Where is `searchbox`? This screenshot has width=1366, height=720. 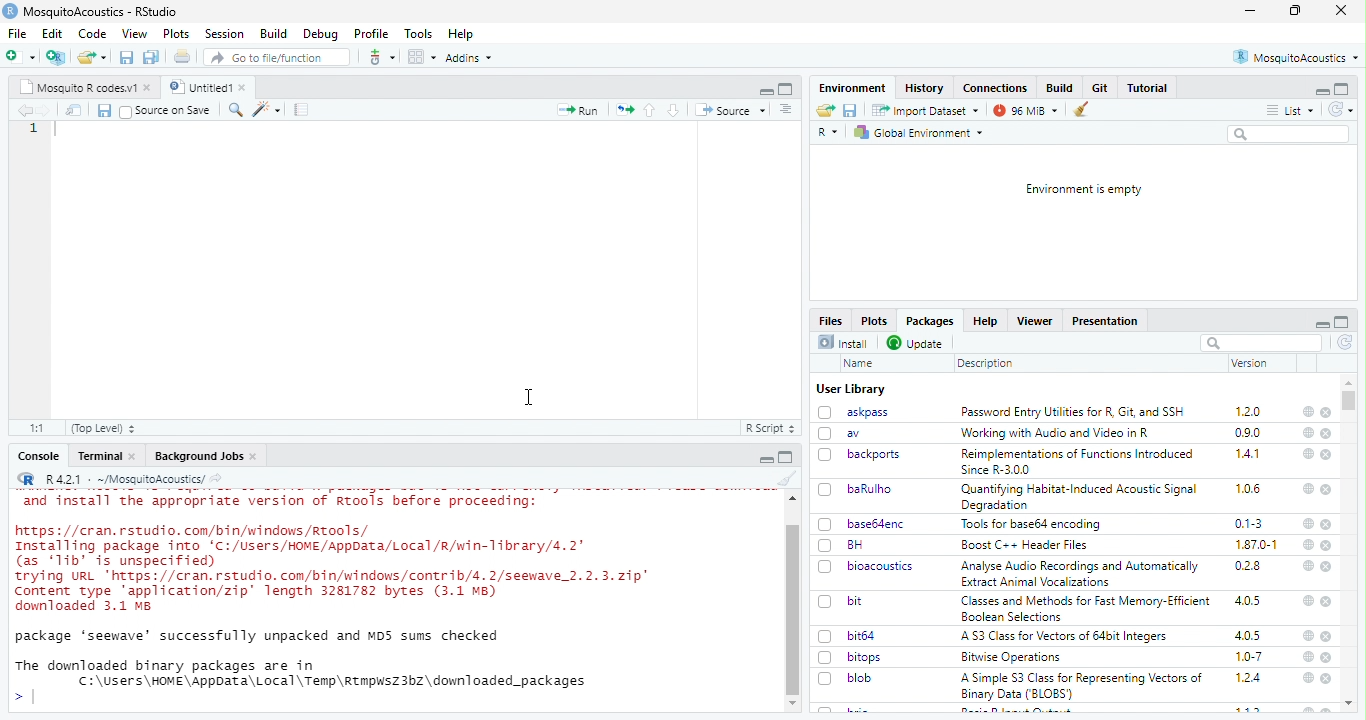
searchbox is located at coordinates (1261, 343).